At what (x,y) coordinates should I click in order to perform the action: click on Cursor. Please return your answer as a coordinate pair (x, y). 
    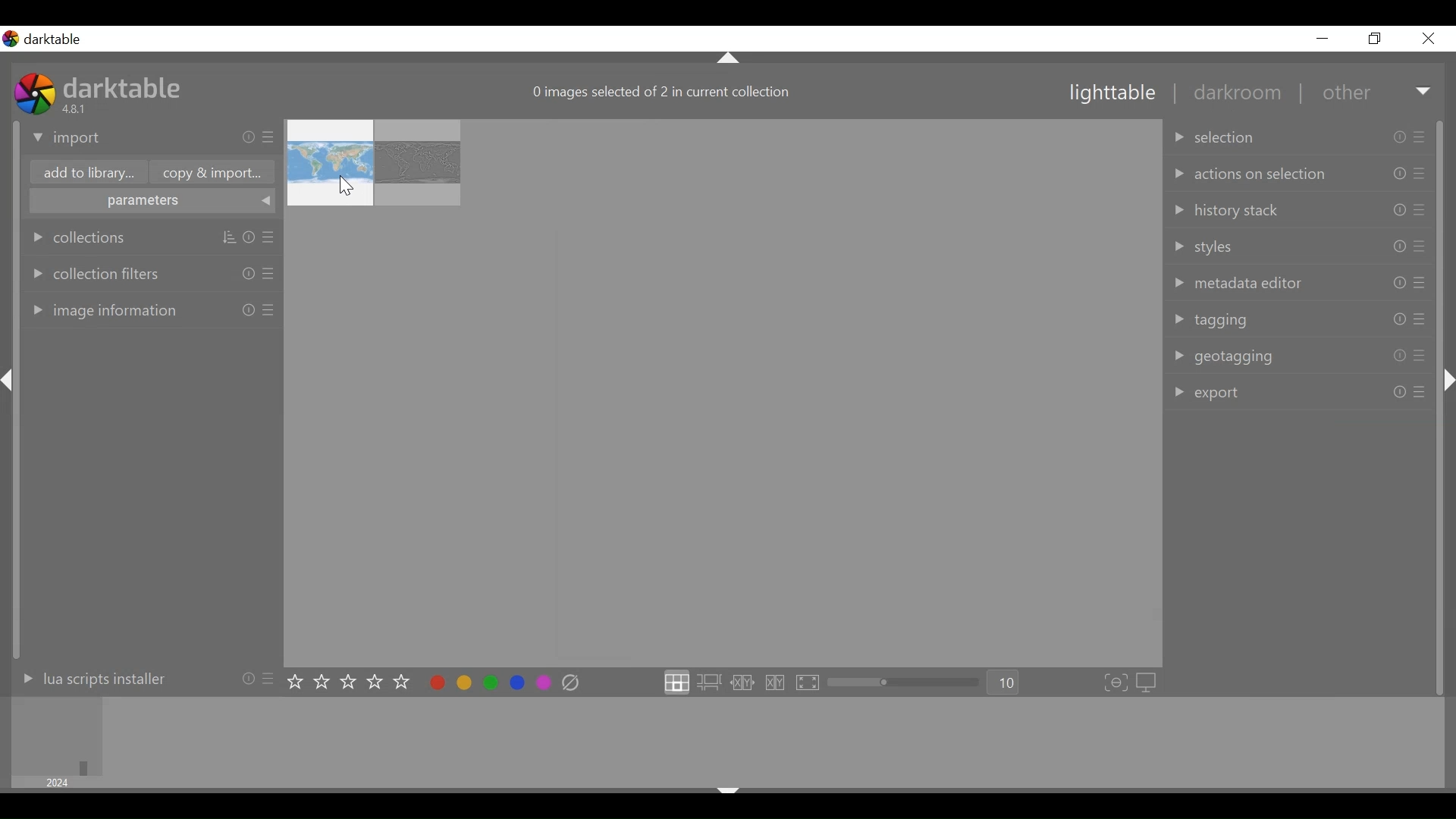
    Looking at the image, I should click on (347, 186).